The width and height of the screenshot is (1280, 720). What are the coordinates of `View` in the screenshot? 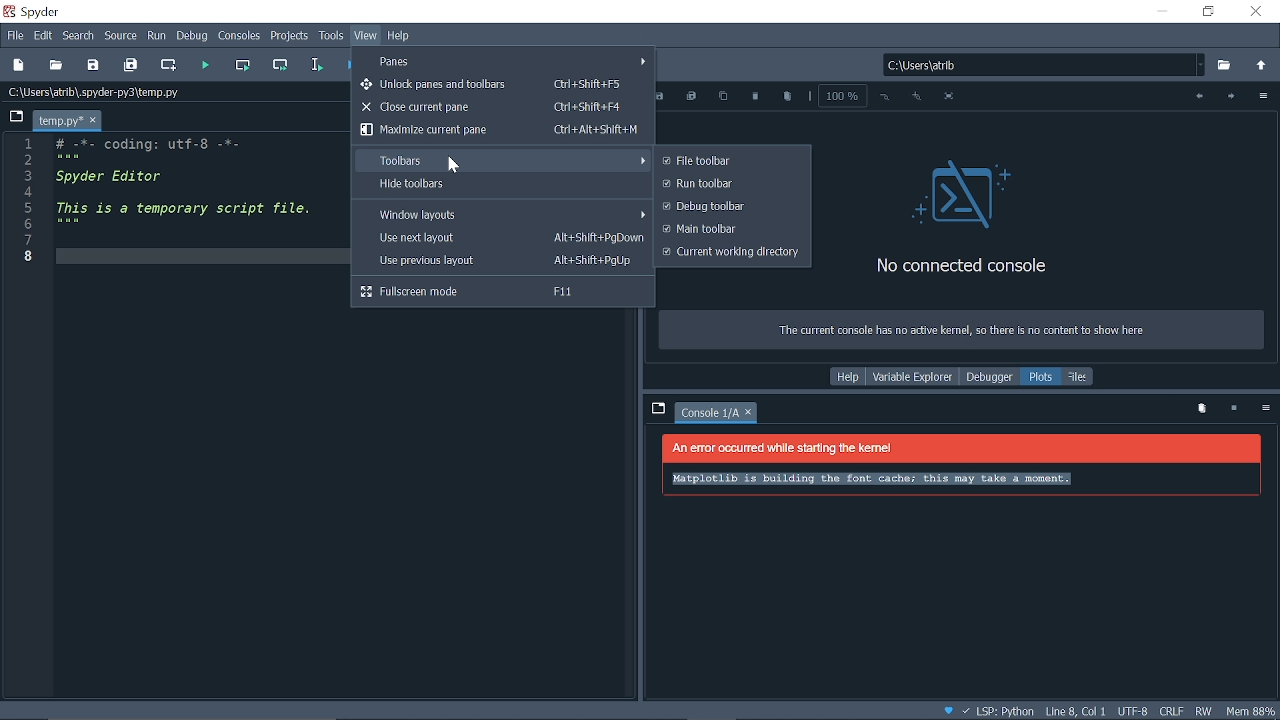 It's located at (366, 36).